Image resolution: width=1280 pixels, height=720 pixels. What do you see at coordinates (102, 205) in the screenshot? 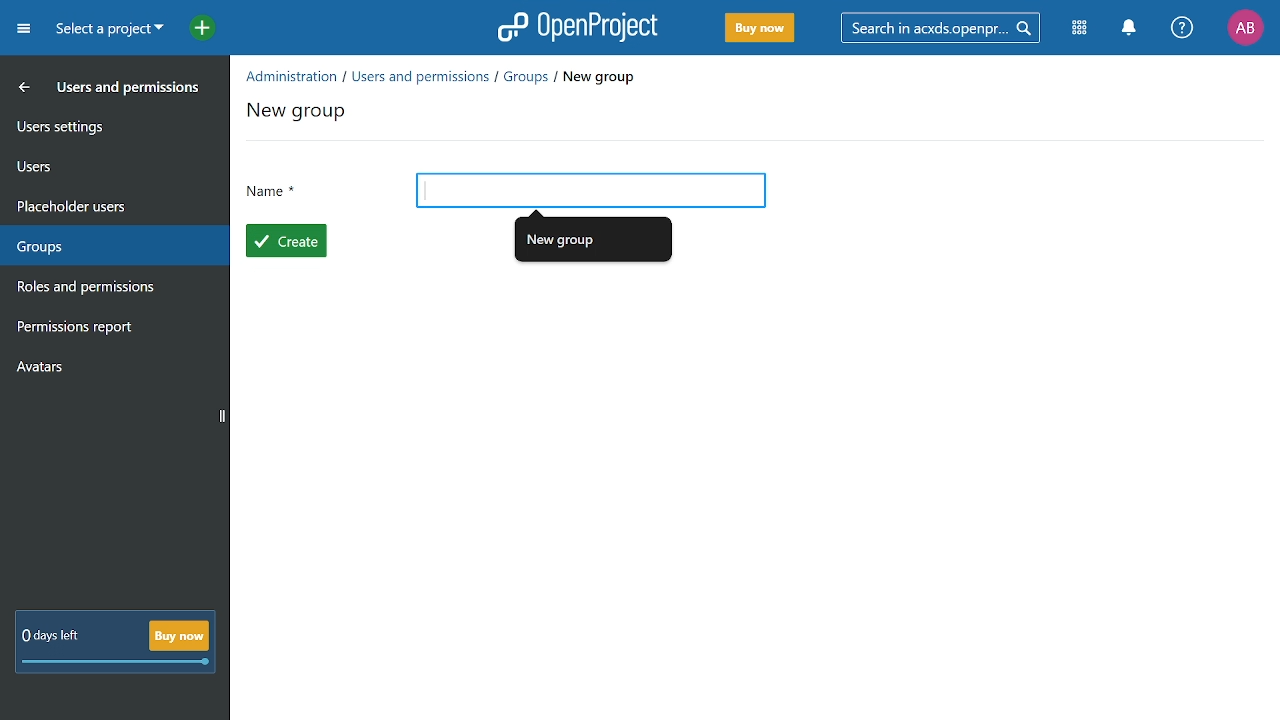
I see `placeholder users` at bounding box center [102, 205].